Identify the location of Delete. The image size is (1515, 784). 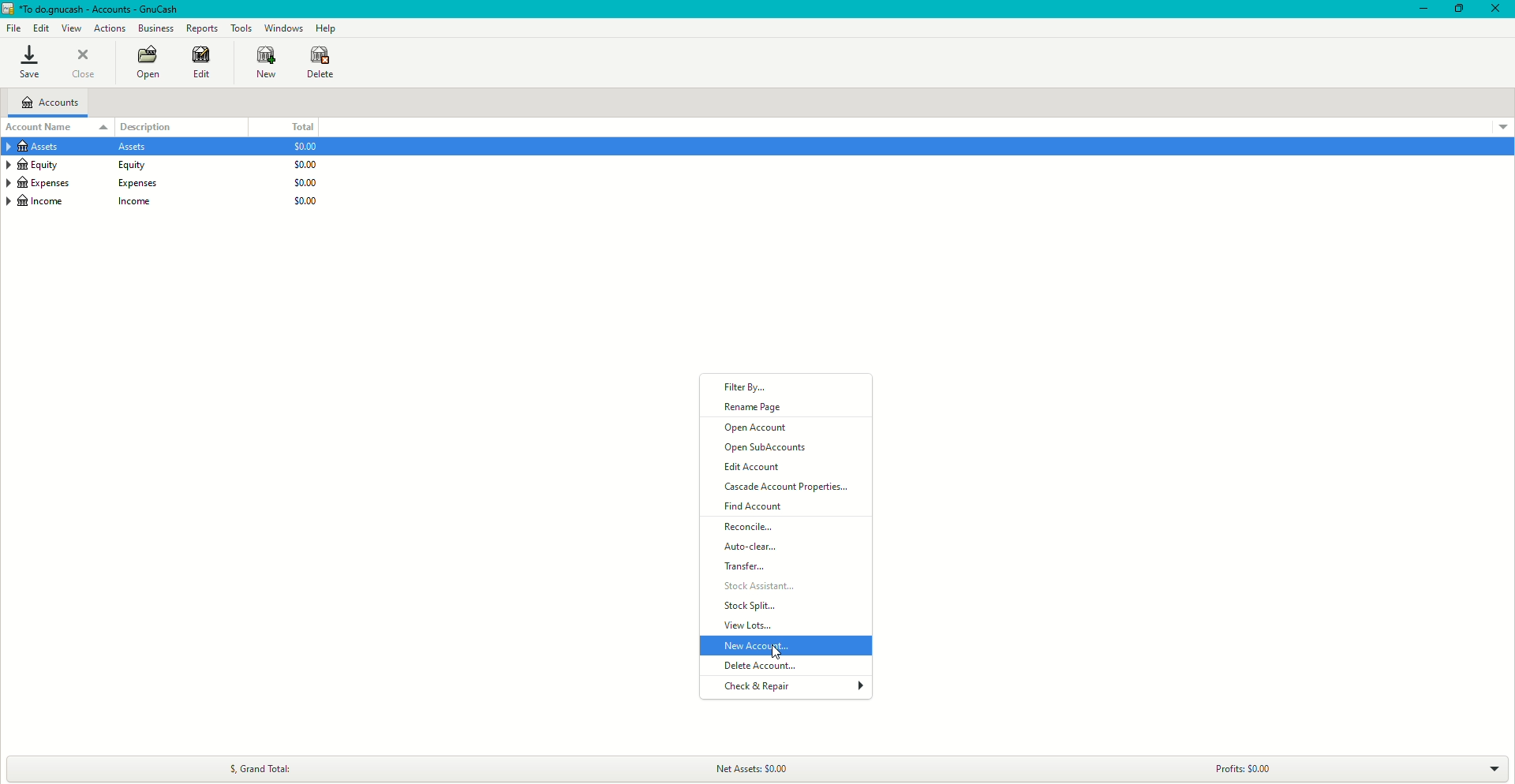
(320, 62).